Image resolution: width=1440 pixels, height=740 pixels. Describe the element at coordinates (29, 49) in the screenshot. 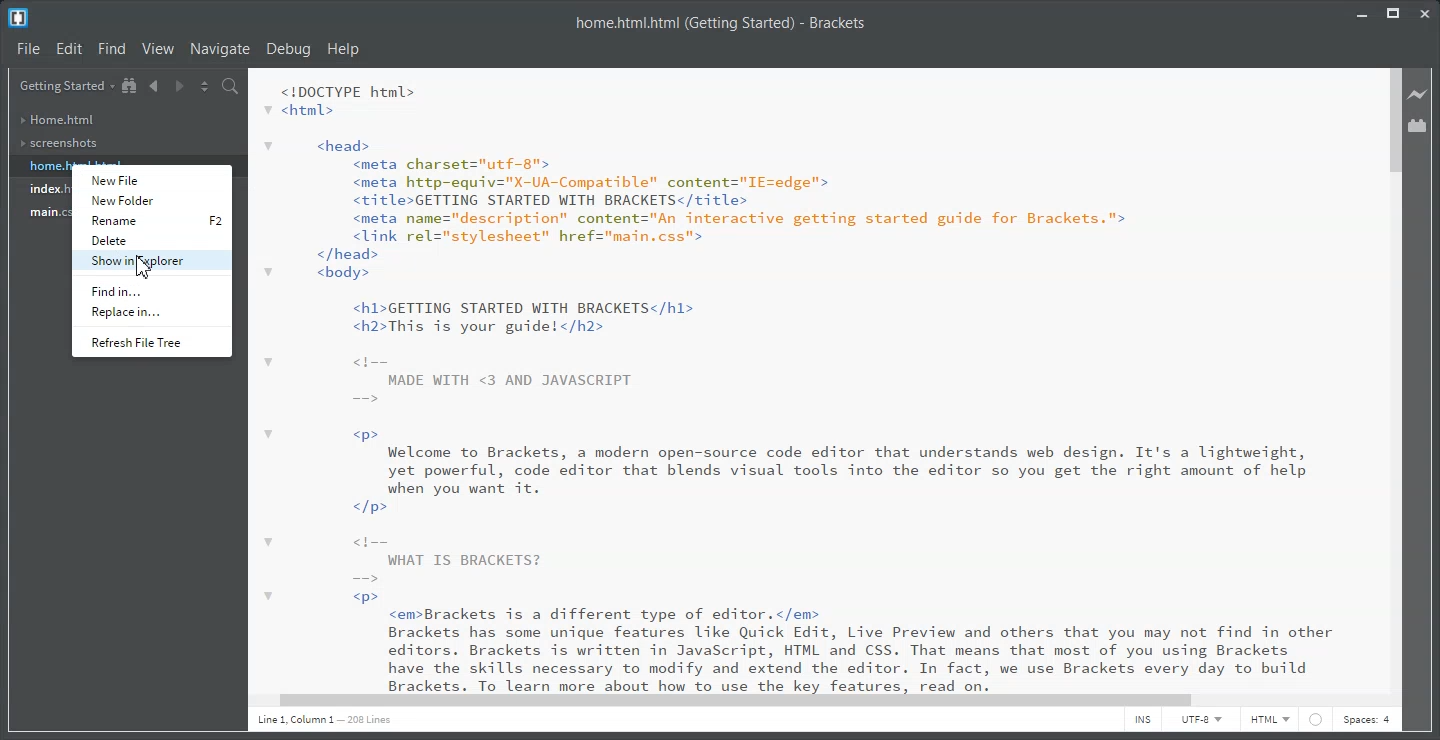

I see `File` at that location.